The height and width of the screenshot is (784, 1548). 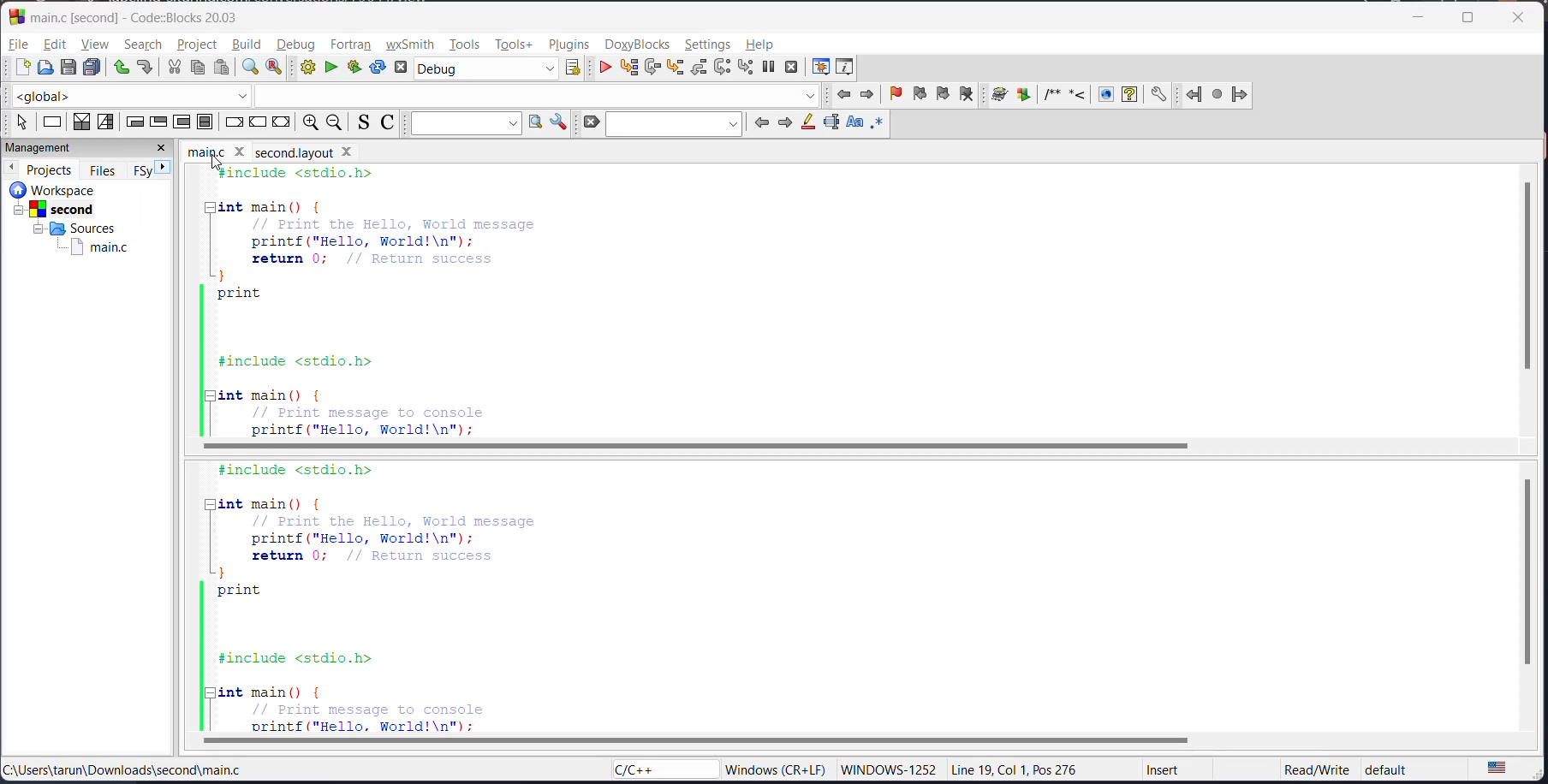 What do you see at coordinates (118, 68) in the screenshot?
I see `undo` at bounding box center [118, 68].